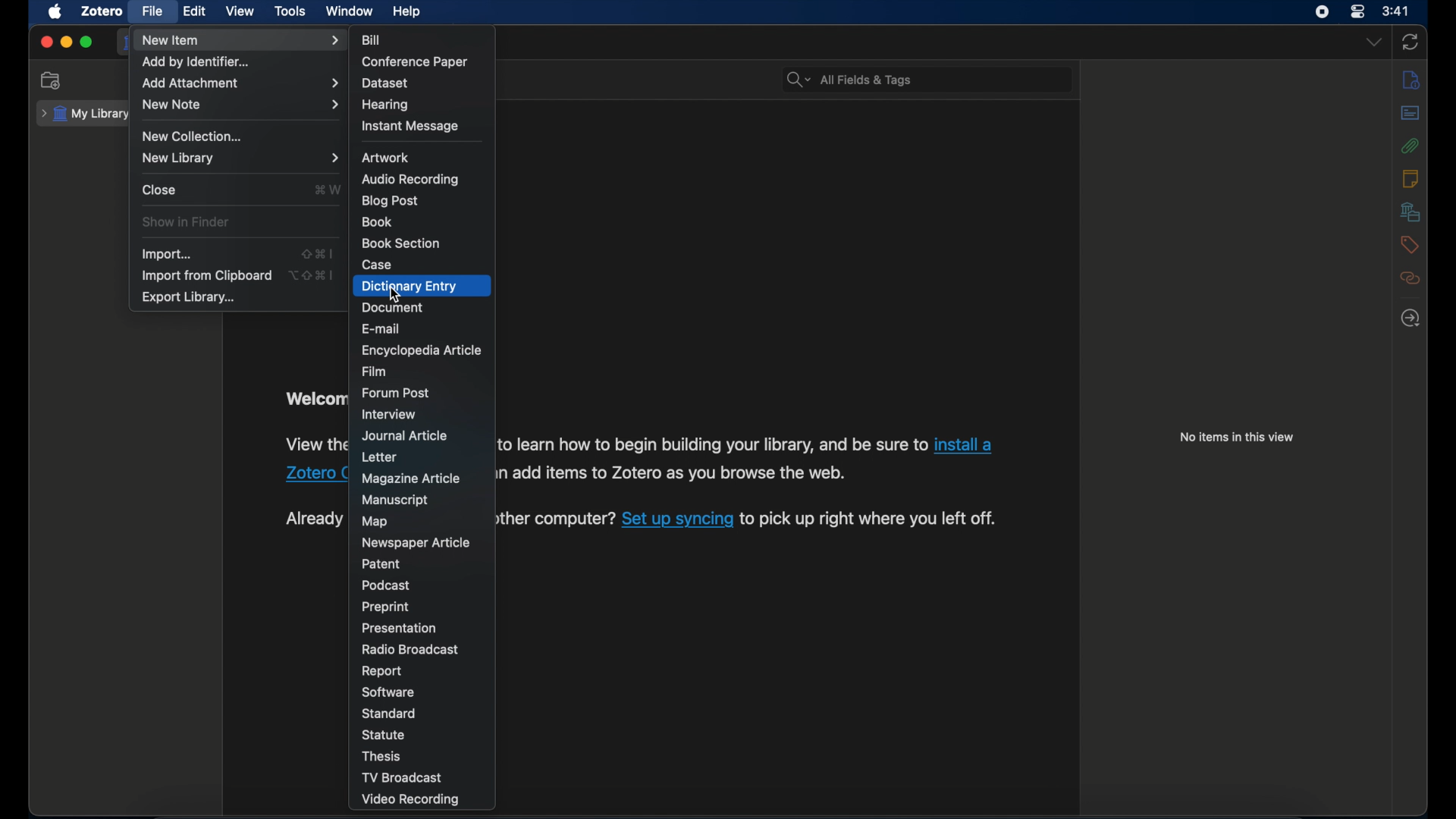 Image resolution: width=1456 pixels, height=819 pixels. I want to click on export library, so click(190, 298).